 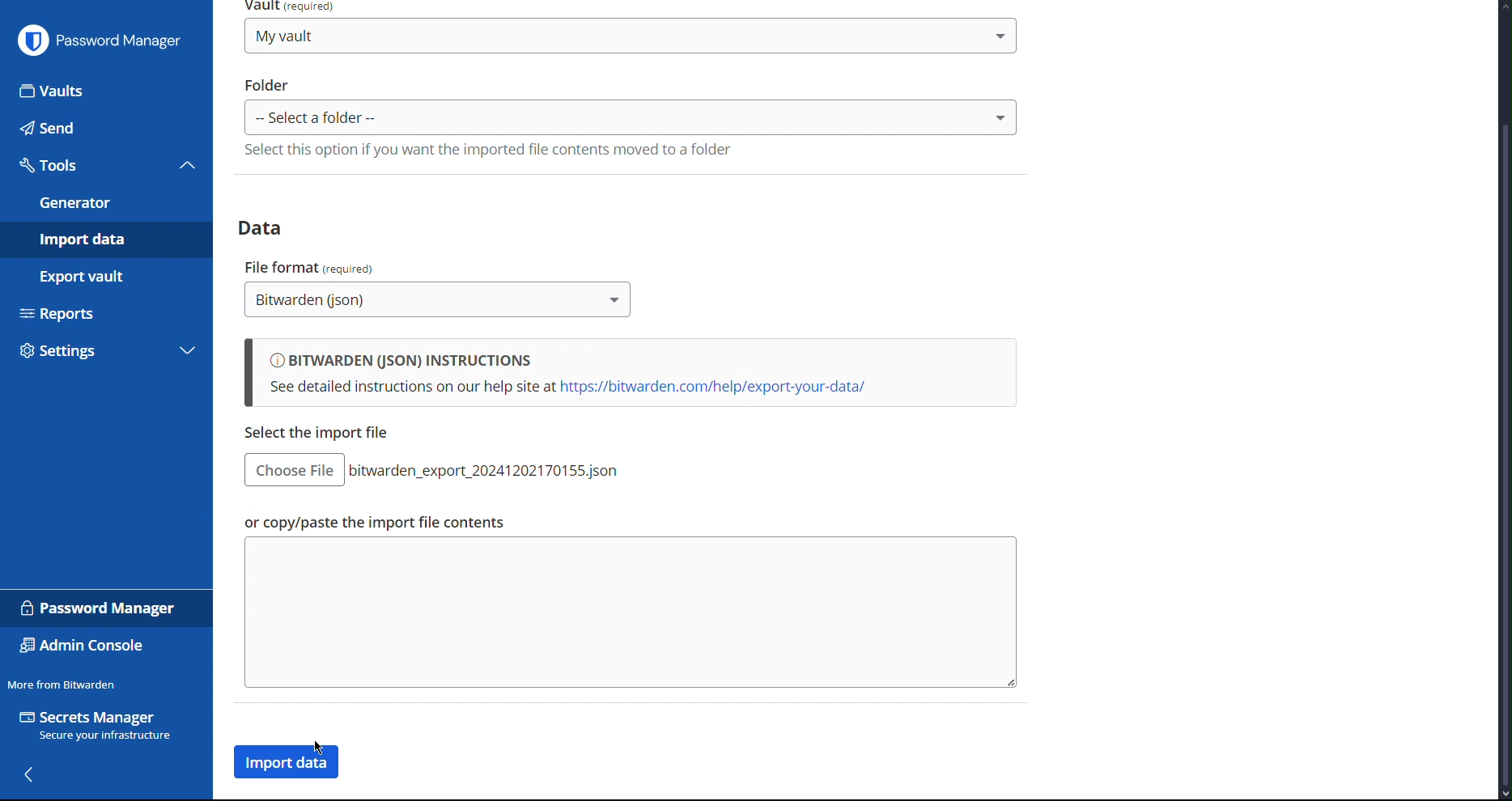 I want to click on Settings, so click(x=87, y=354).